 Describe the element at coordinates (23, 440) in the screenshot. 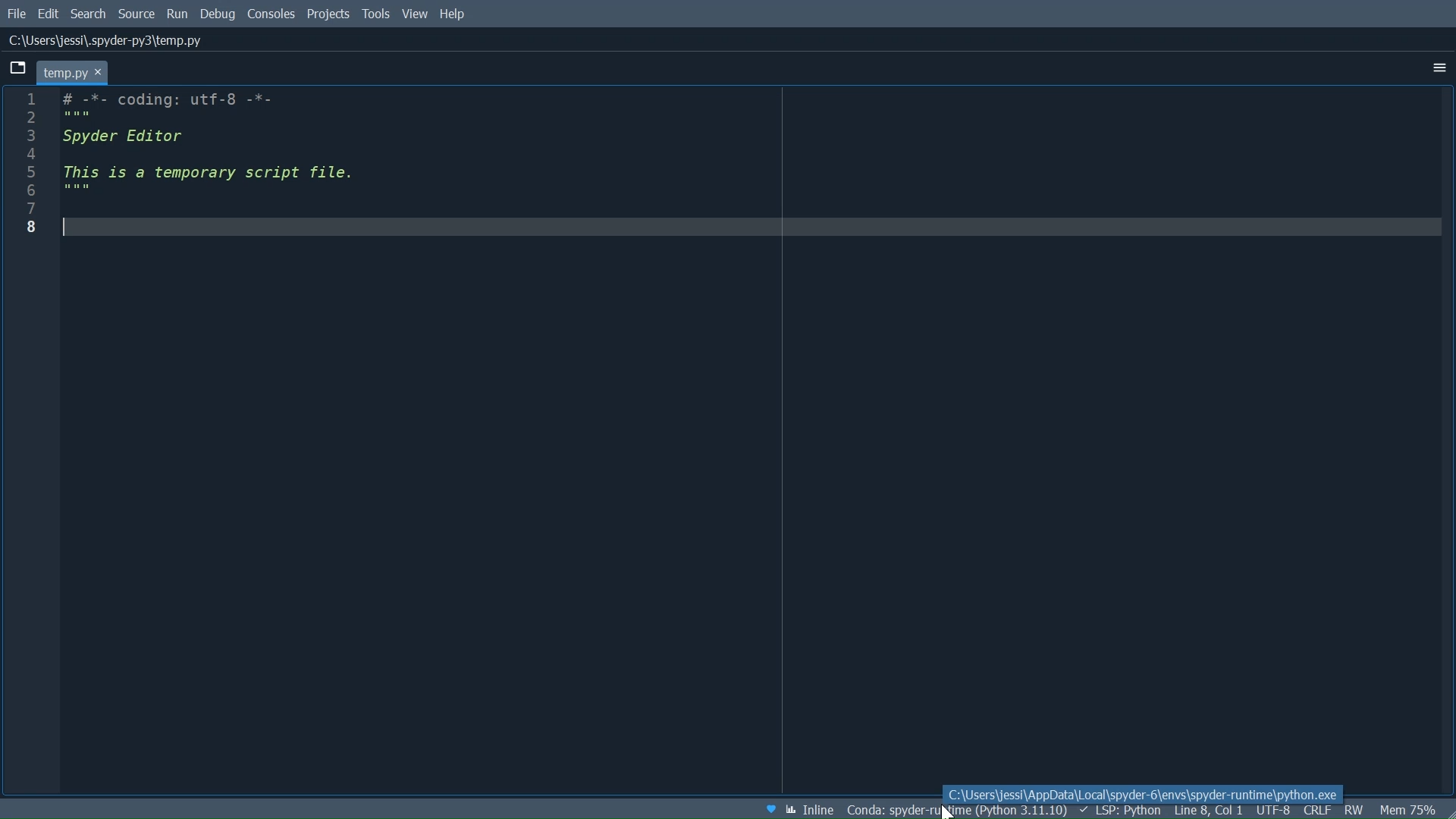

I see `Line column` at that location.